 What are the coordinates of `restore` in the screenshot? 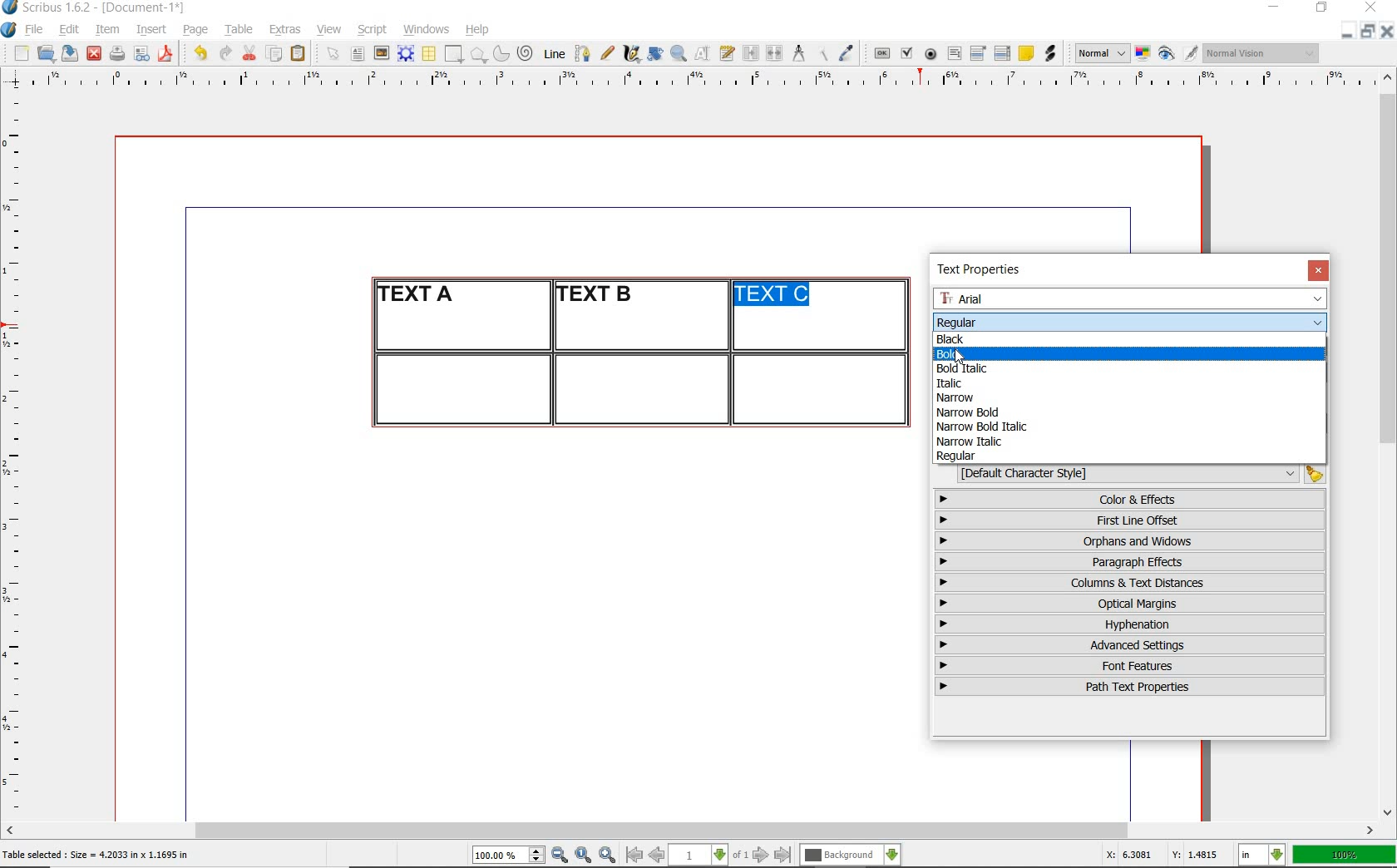 It's located at (1368, 30).